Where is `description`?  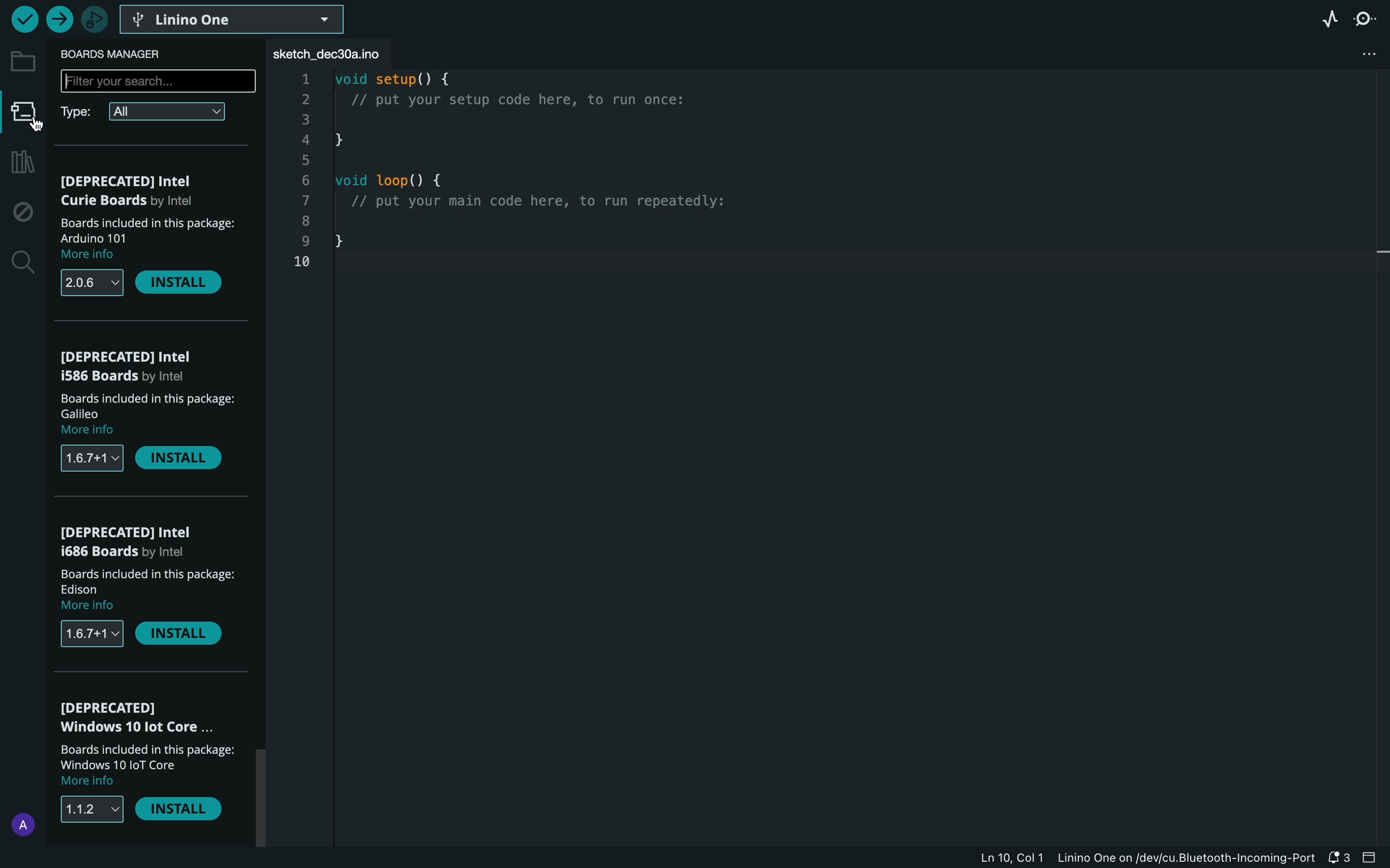
description is located at coordinates (149, 590).